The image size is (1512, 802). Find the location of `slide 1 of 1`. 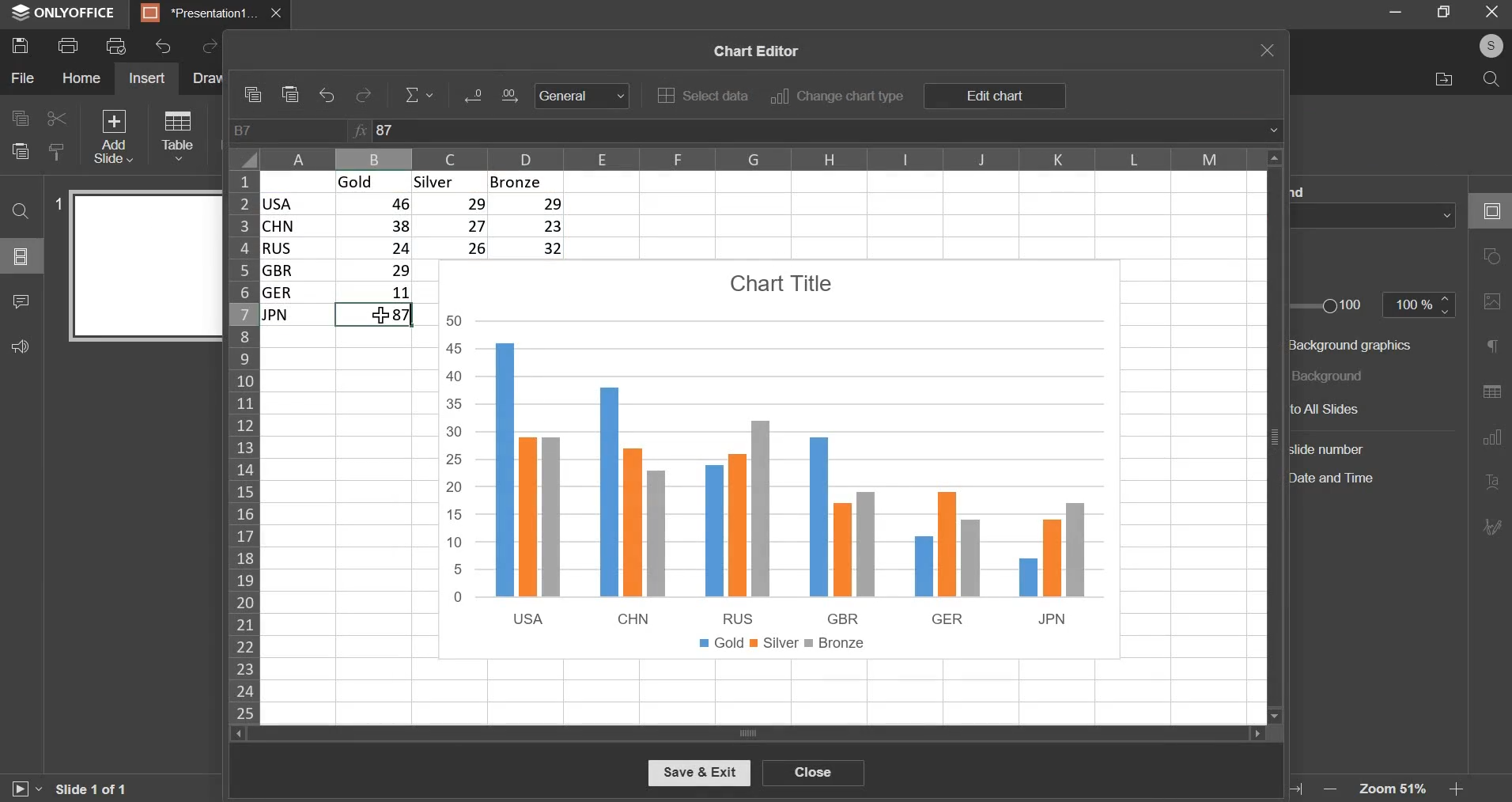

slide 1 of 1 is located at coordinates (90, 787).